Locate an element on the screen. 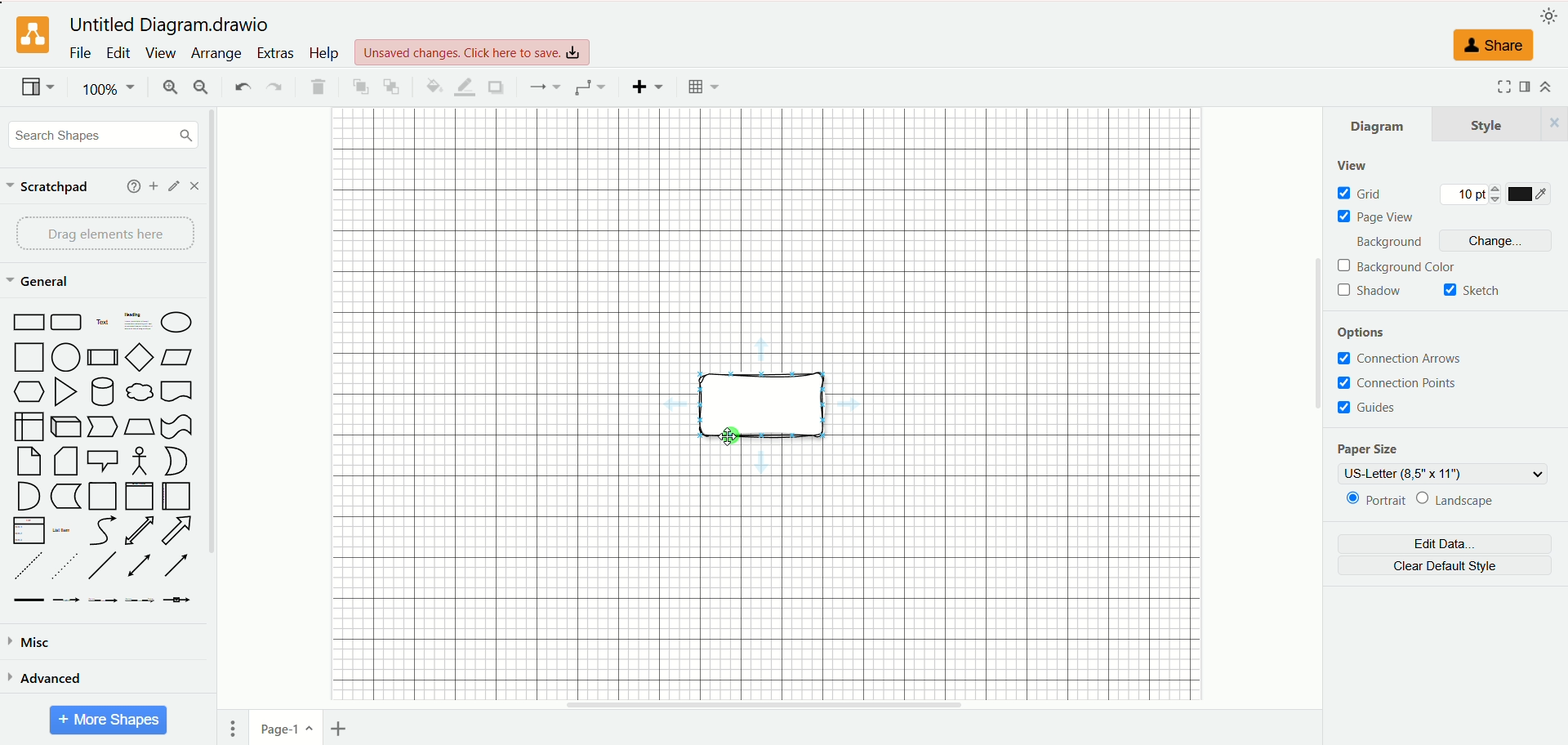 Image resolution: width=1568 pixels, height=745 pixels. view is located at coordinates (38, 88).